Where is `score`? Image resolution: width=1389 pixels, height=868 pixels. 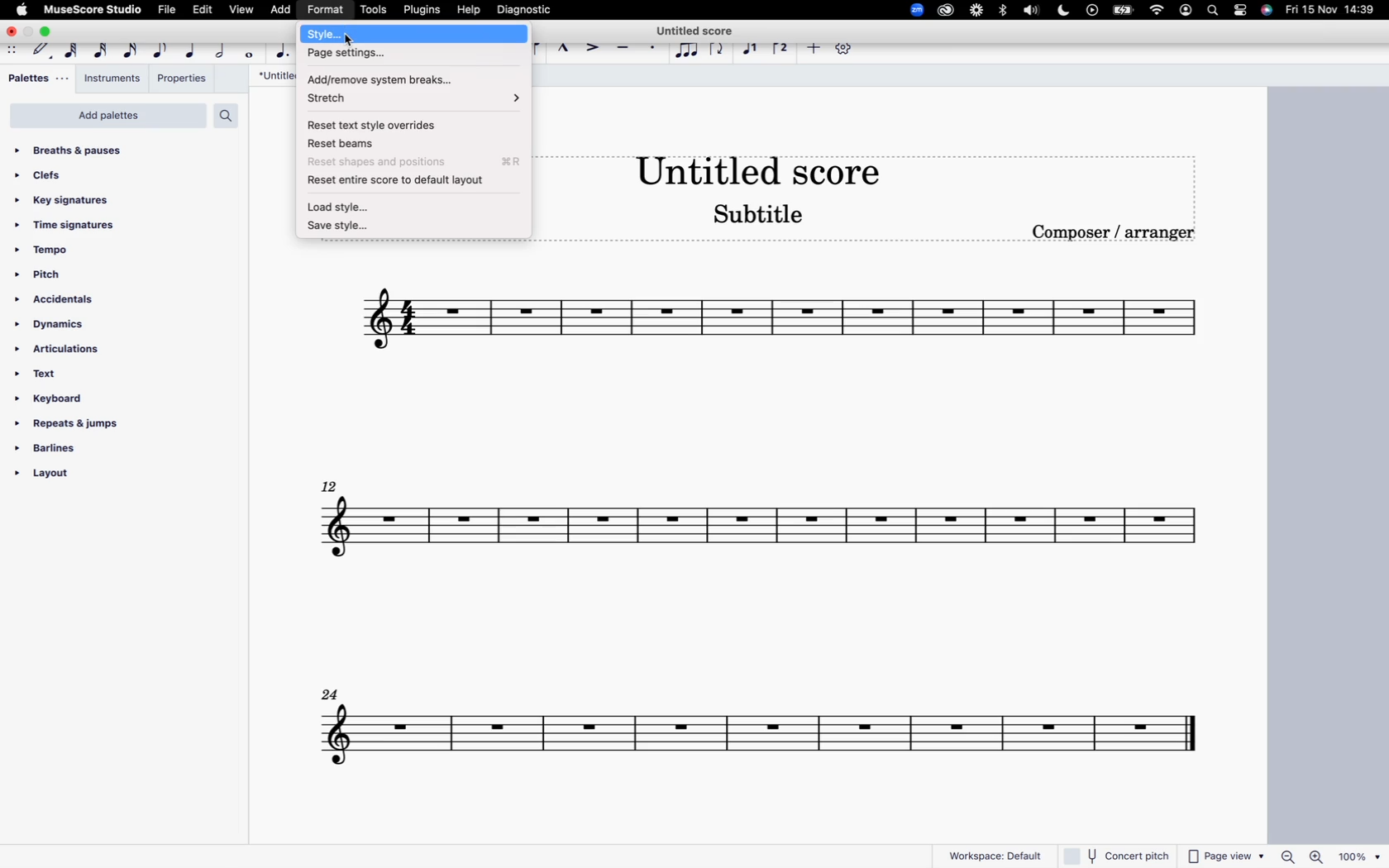
score is located at coordinates (756, 533).